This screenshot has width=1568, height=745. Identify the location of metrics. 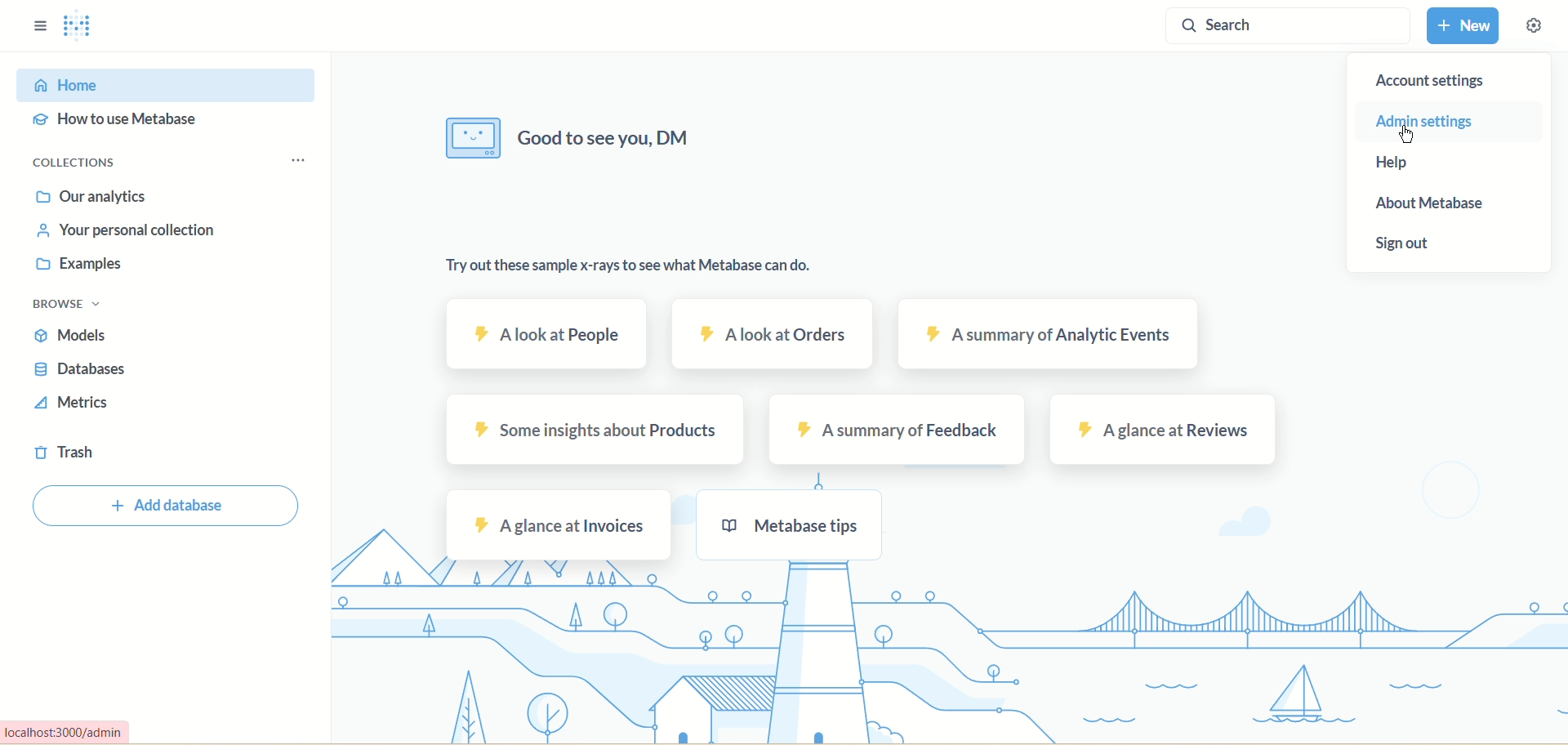
(74, 403).